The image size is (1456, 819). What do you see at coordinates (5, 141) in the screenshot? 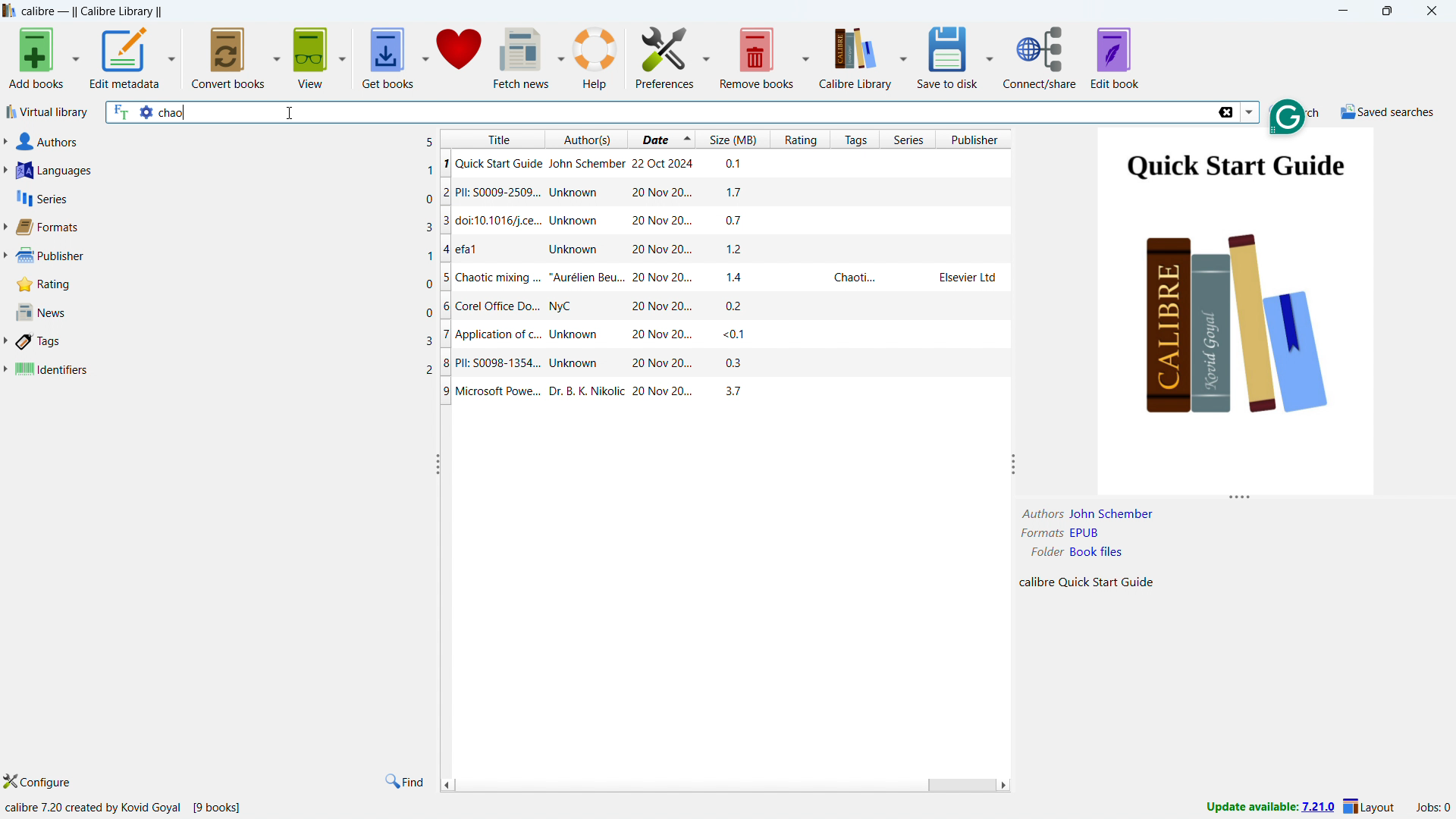
I see `expand authors` at bounding box center [5, 141].